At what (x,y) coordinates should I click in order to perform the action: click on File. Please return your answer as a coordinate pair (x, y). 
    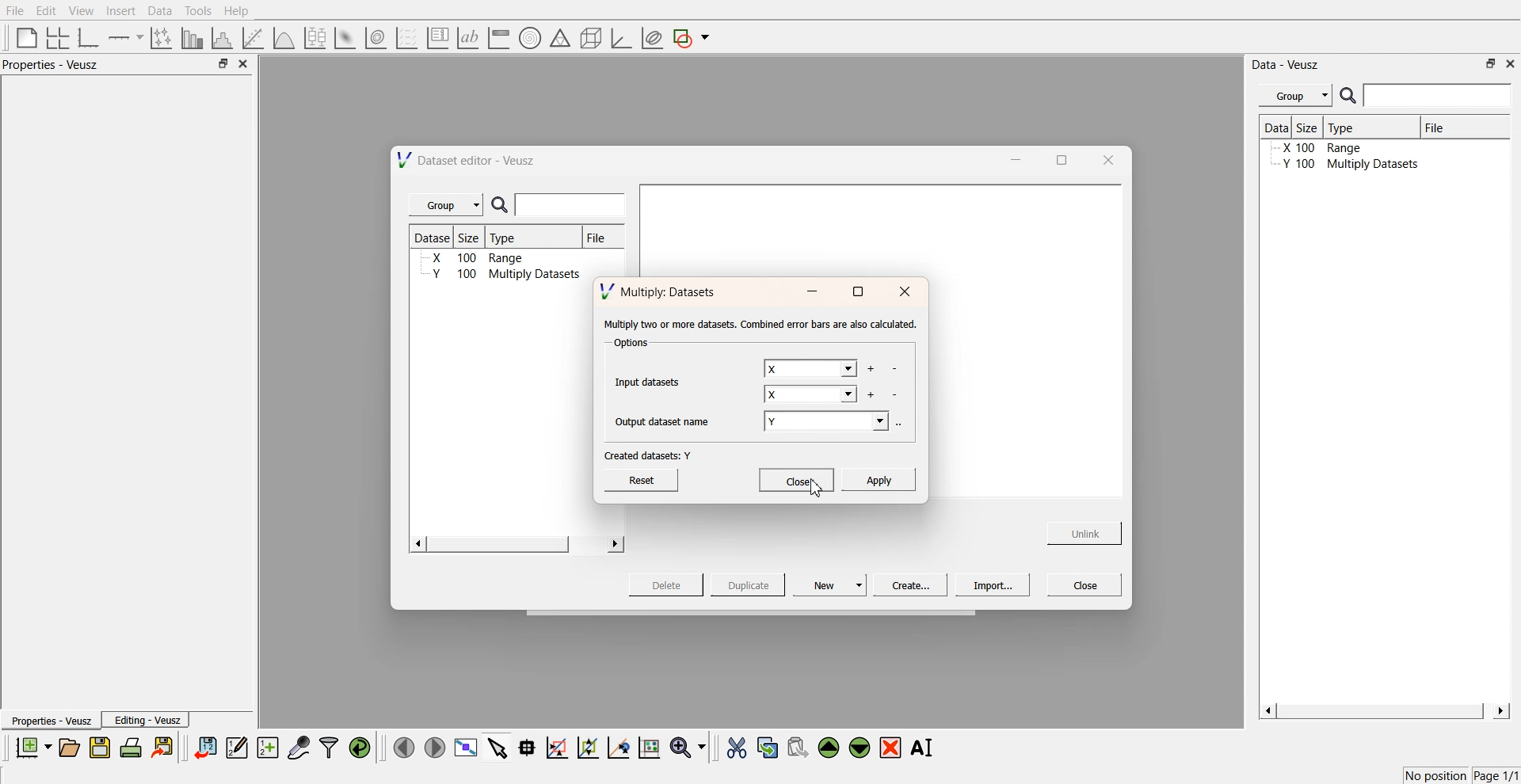
    Looking at the image, I should click on (1448, 127).